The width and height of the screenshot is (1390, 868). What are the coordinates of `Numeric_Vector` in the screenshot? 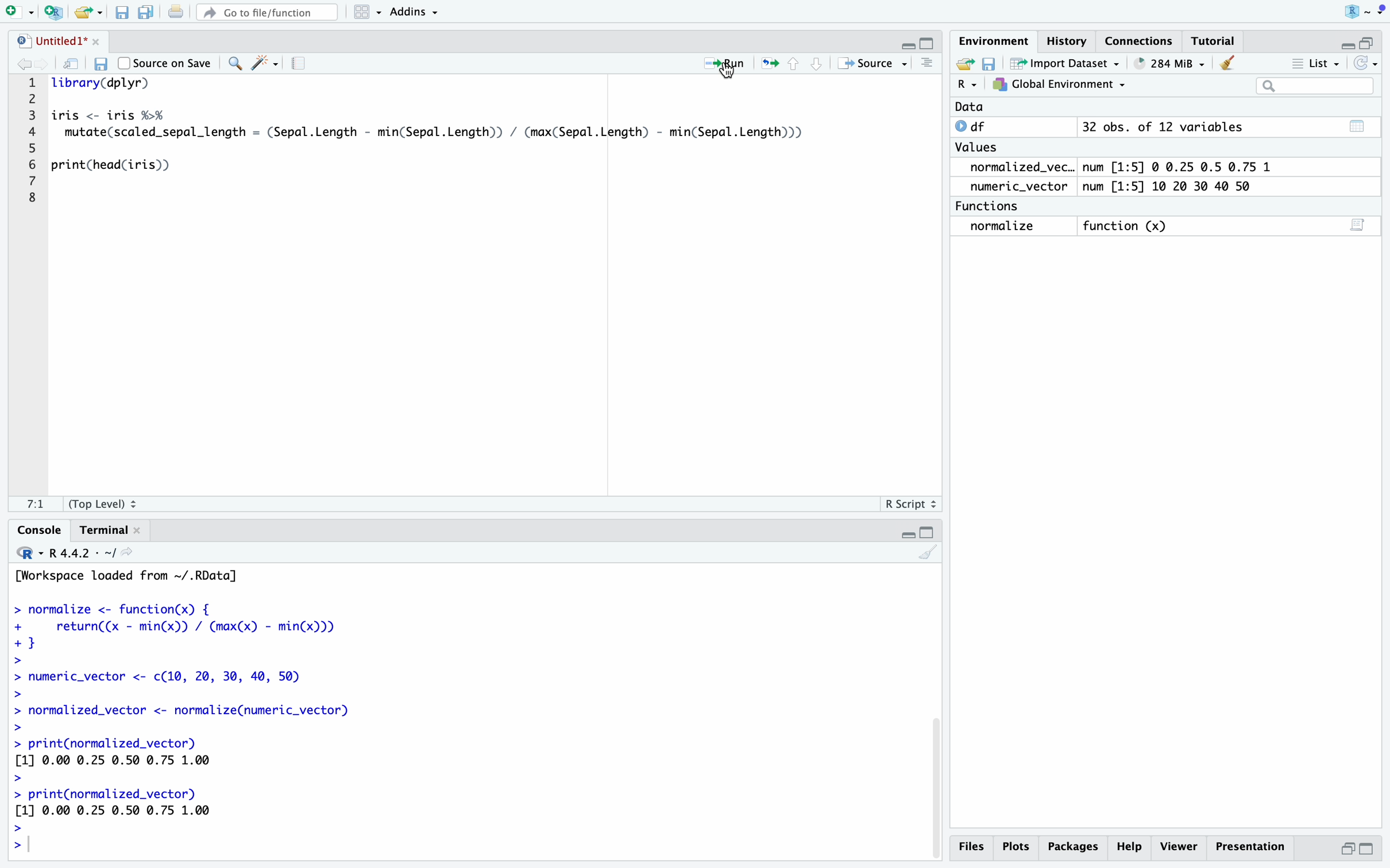 It's located at (1014, 187).